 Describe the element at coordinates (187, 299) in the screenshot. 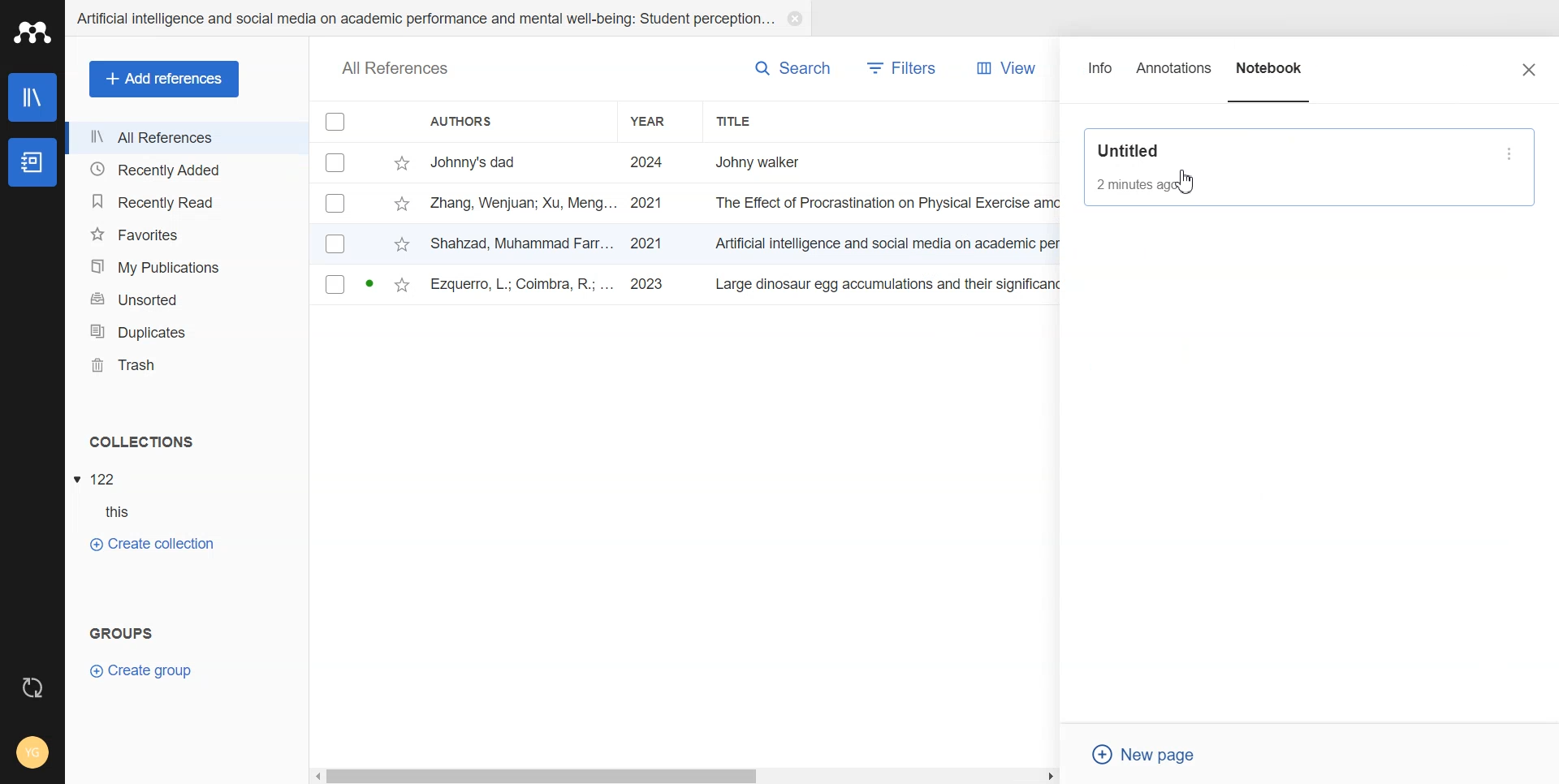

I see `Unsorted` at that location.